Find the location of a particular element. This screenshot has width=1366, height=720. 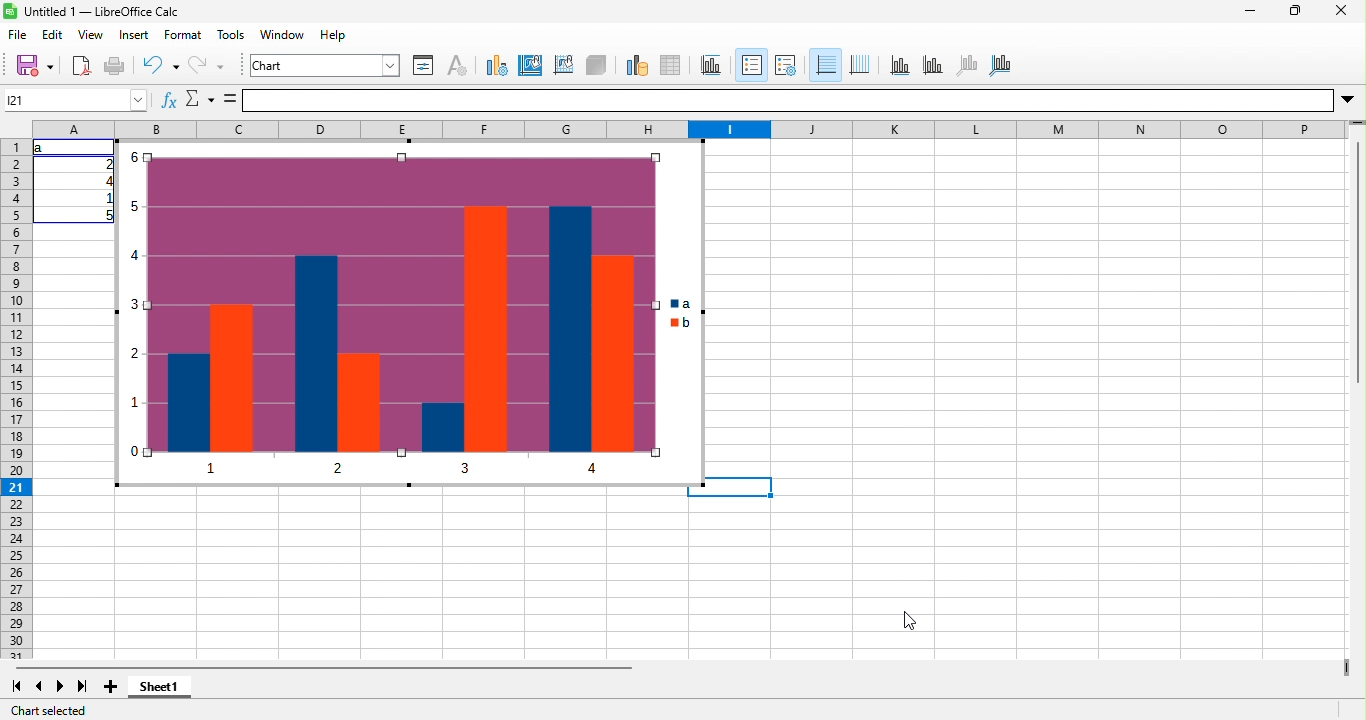

add sheet is located at coordinates (111, 686).